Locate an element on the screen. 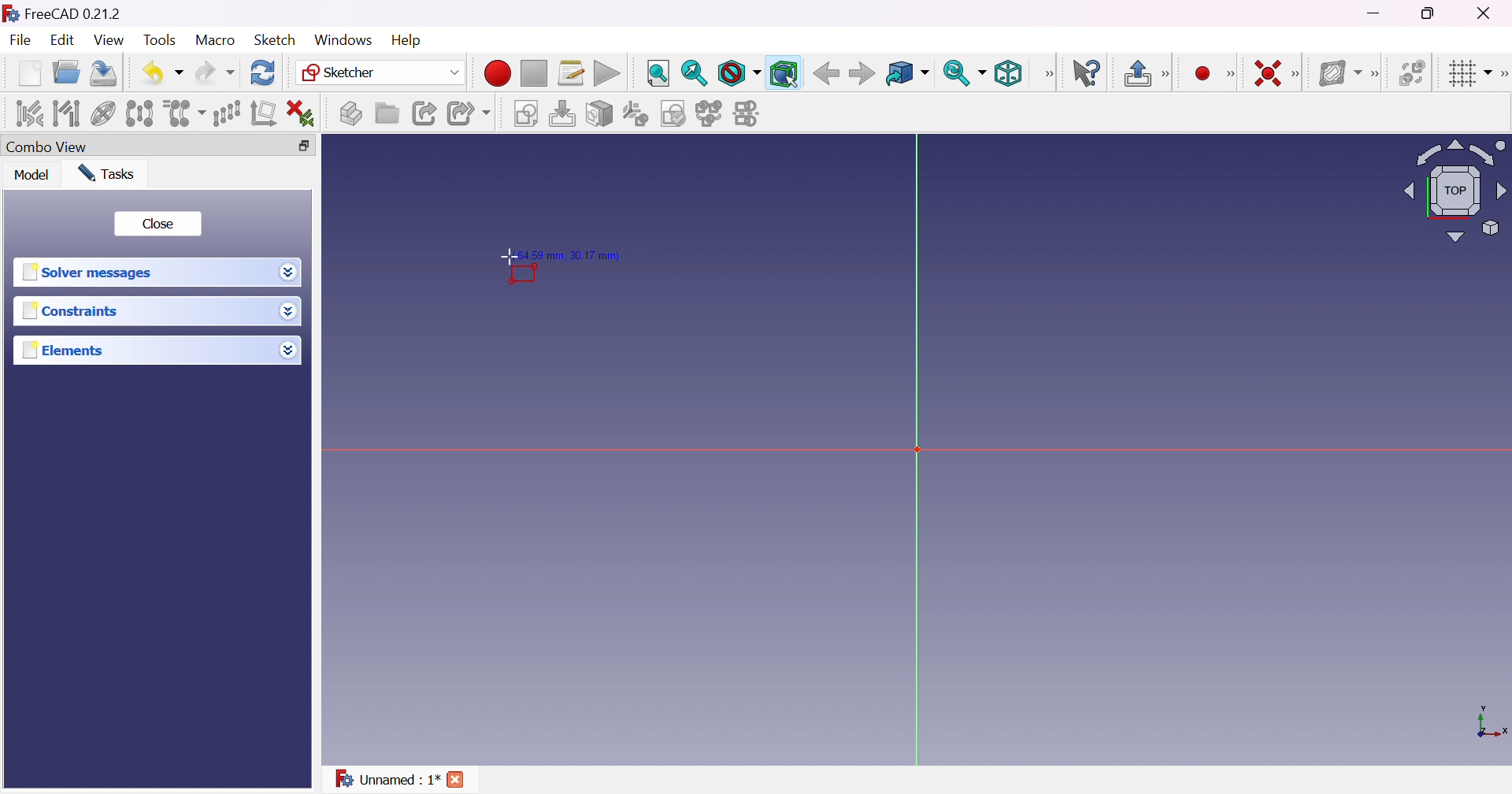  Restore down is located at coordinates (1431, 13).